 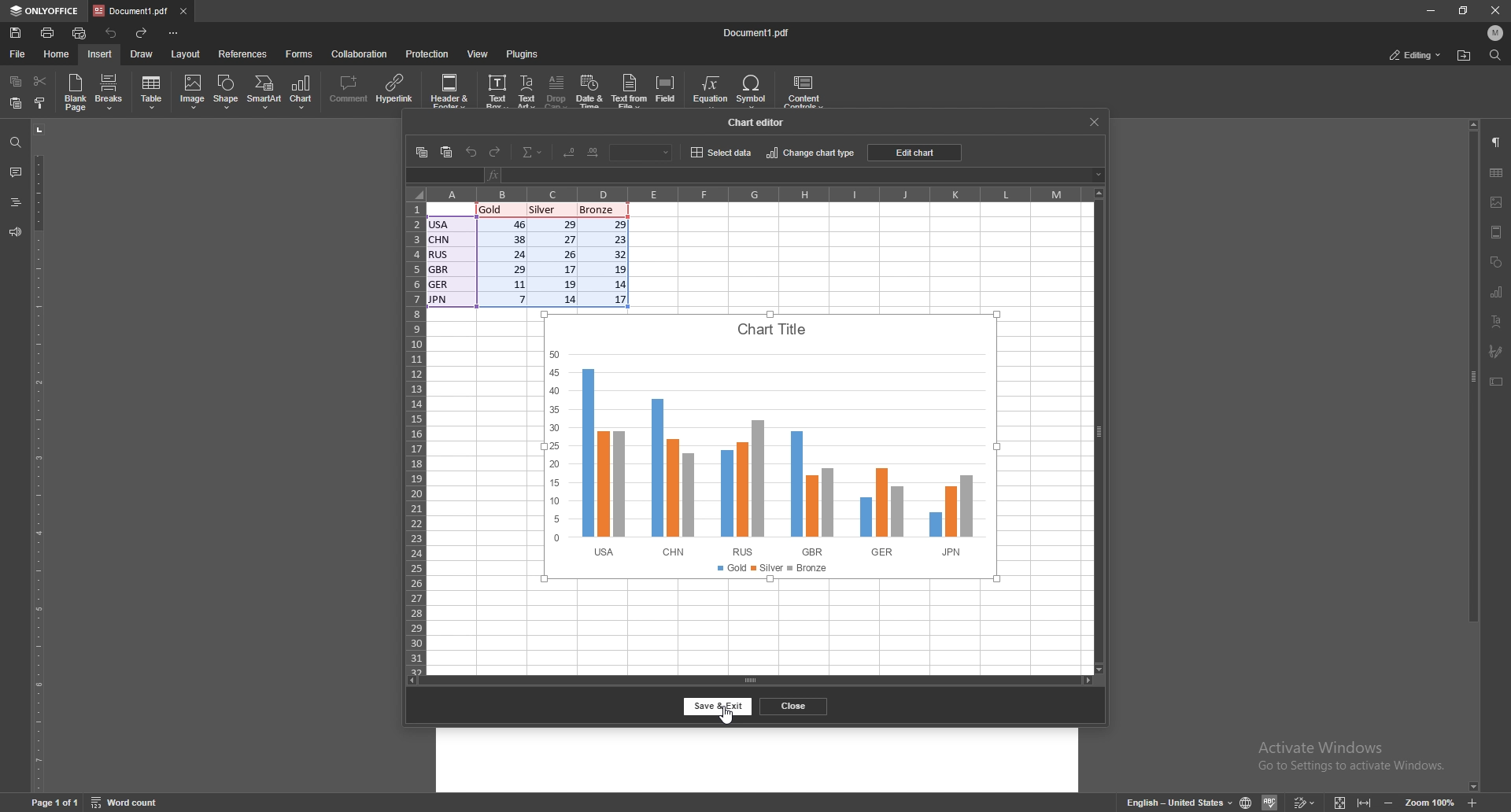 I want to click on table, so click(x=1498, y=173).